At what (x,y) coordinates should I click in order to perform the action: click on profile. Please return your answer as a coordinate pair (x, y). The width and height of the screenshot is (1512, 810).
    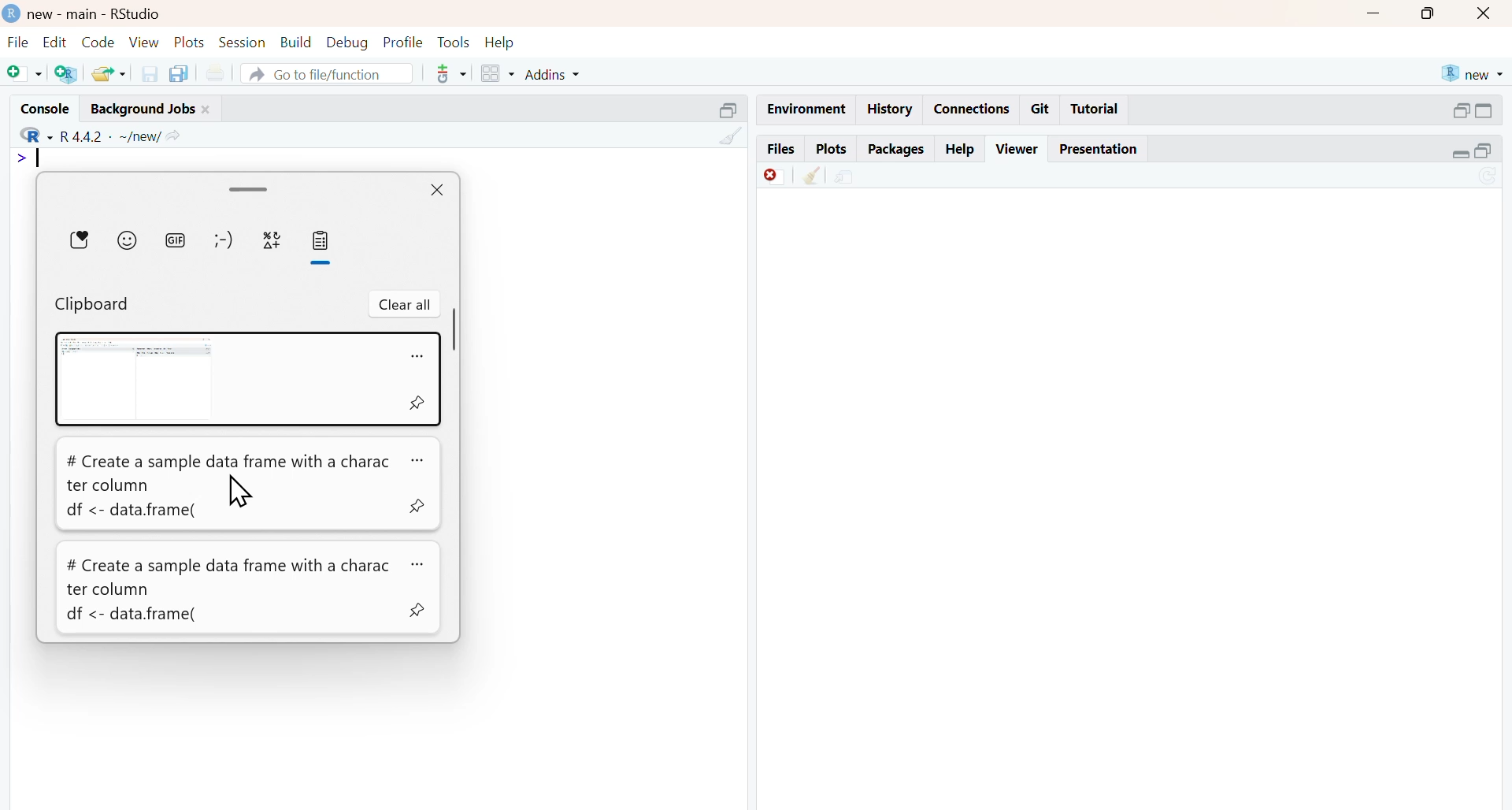
    Looking at the image, I should click on (404, 43).